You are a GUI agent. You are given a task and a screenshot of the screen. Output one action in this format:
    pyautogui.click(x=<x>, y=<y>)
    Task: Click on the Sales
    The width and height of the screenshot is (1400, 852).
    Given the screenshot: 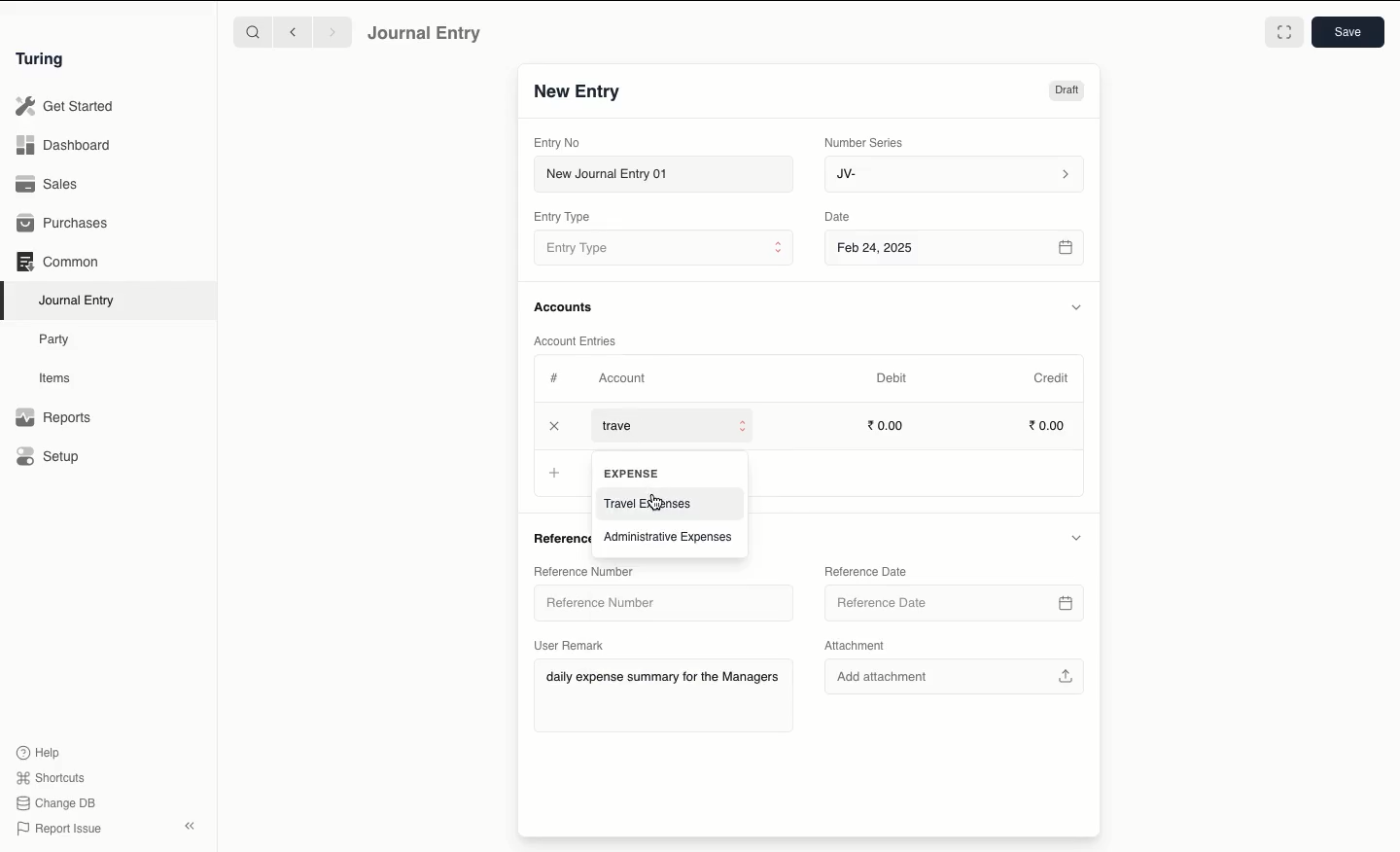 What is the action you would take?
    pyautogui.click(x=50, y=184)
    